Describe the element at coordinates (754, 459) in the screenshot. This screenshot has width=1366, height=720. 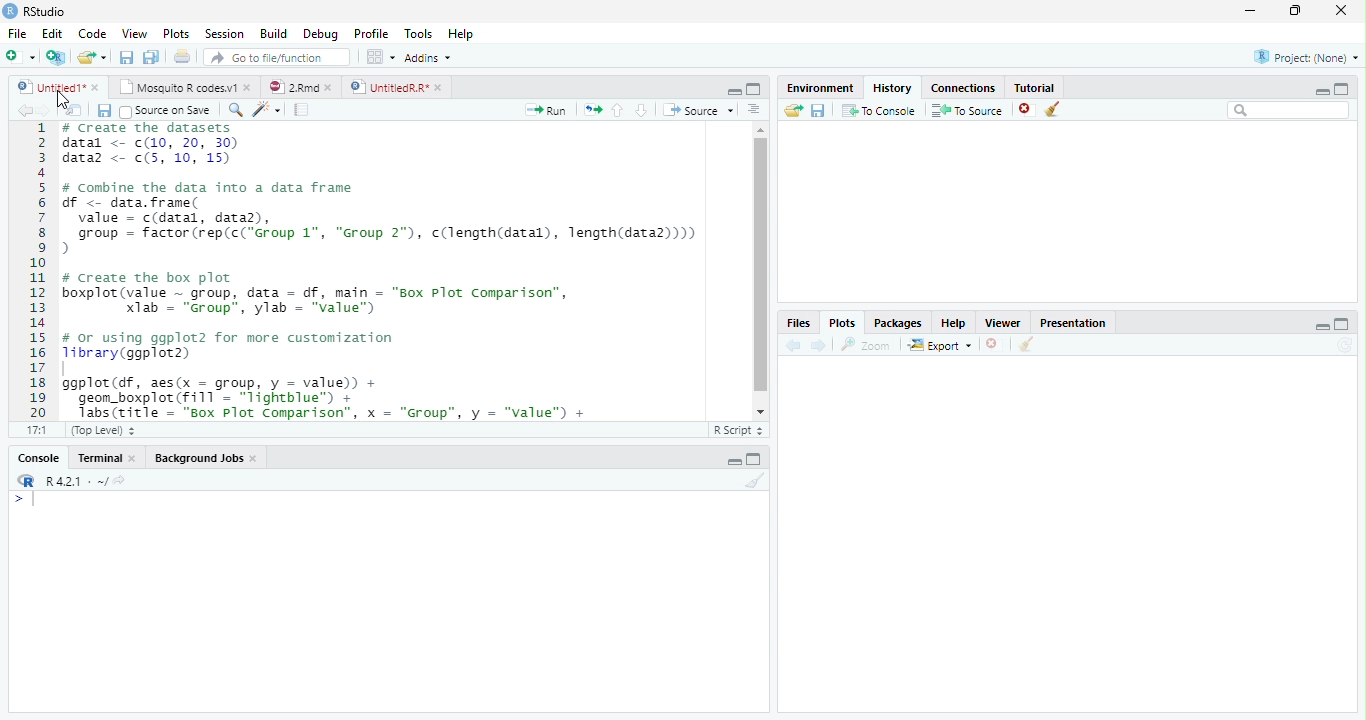
I see `Maximize` at that location.